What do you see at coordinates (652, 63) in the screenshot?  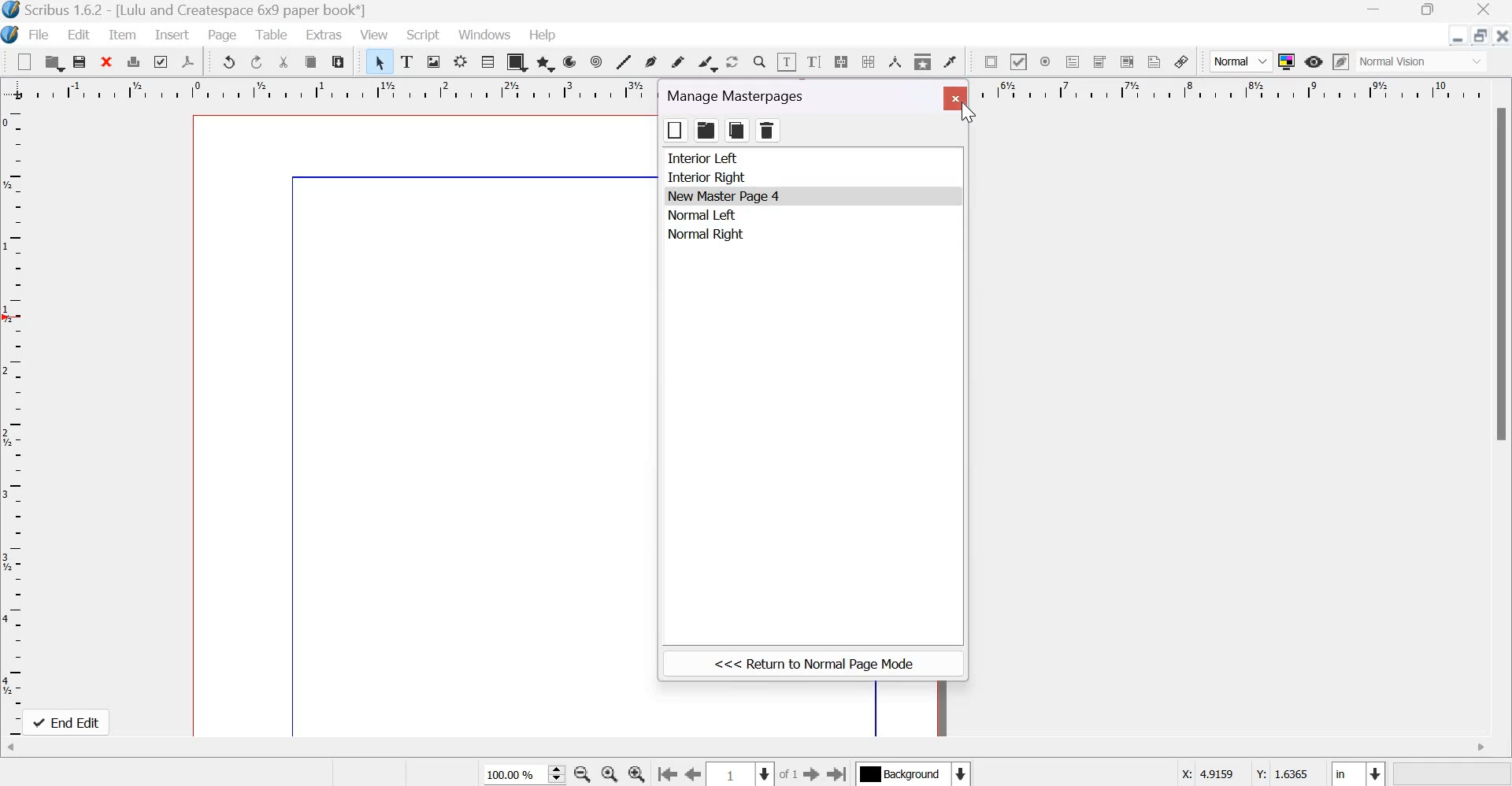 I see `Bezier curve` at bounding box center [652, 63].